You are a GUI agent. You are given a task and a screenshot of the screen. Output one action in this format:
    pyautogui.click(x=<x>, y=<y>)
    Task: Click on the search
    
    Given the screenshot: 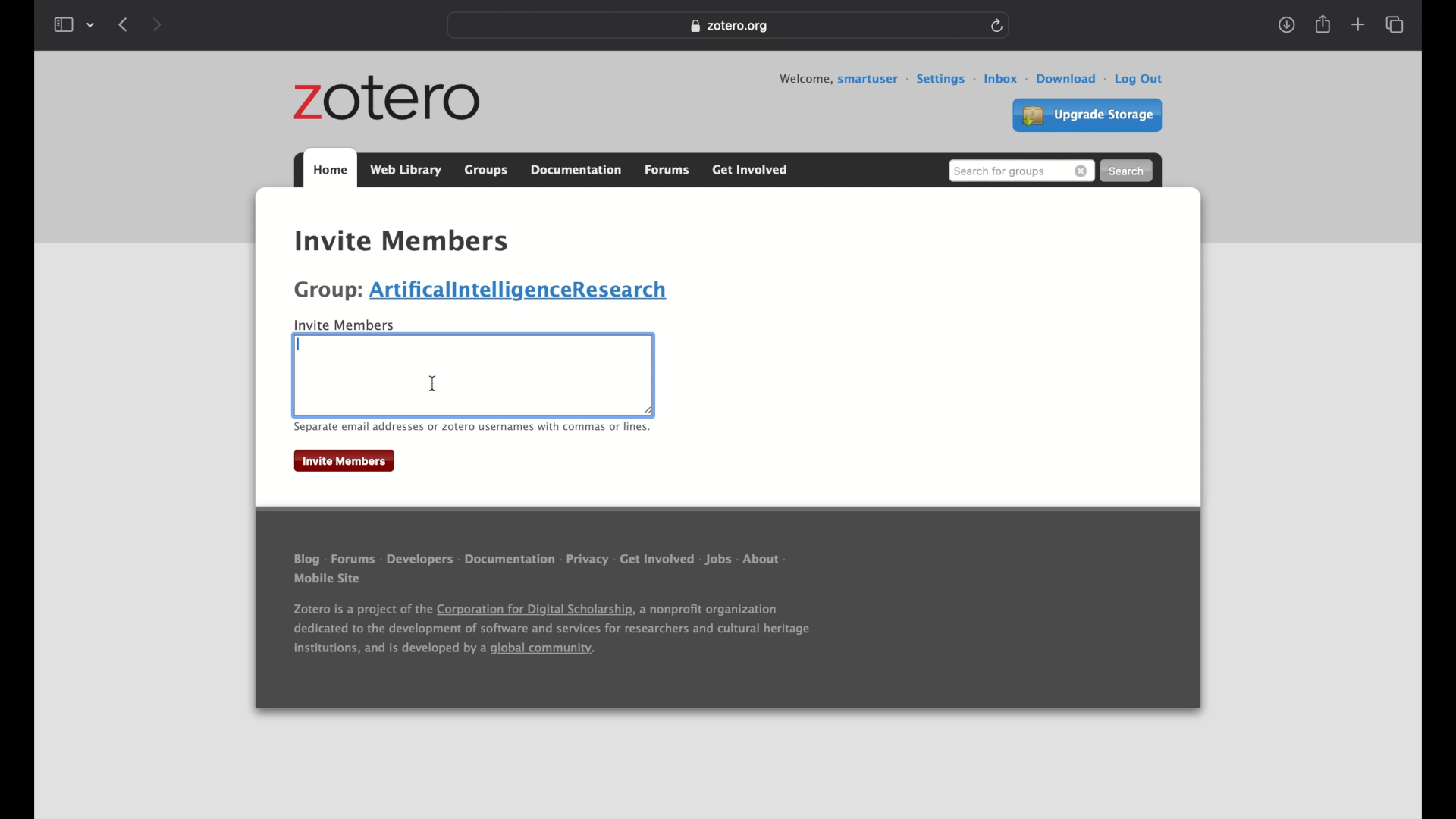 What is the action you would take?
    pyautogui.click(x=1128, y=171)
    